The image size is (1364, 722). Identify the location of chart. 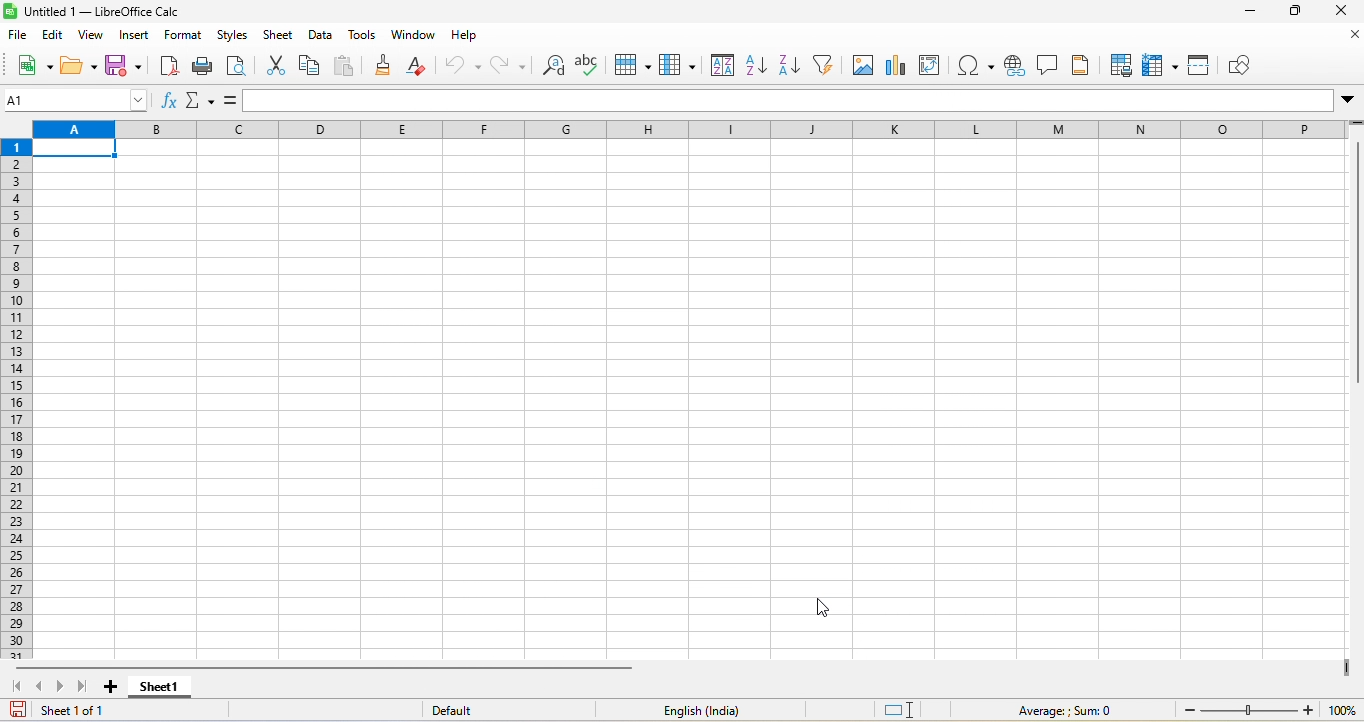
(901, 64).